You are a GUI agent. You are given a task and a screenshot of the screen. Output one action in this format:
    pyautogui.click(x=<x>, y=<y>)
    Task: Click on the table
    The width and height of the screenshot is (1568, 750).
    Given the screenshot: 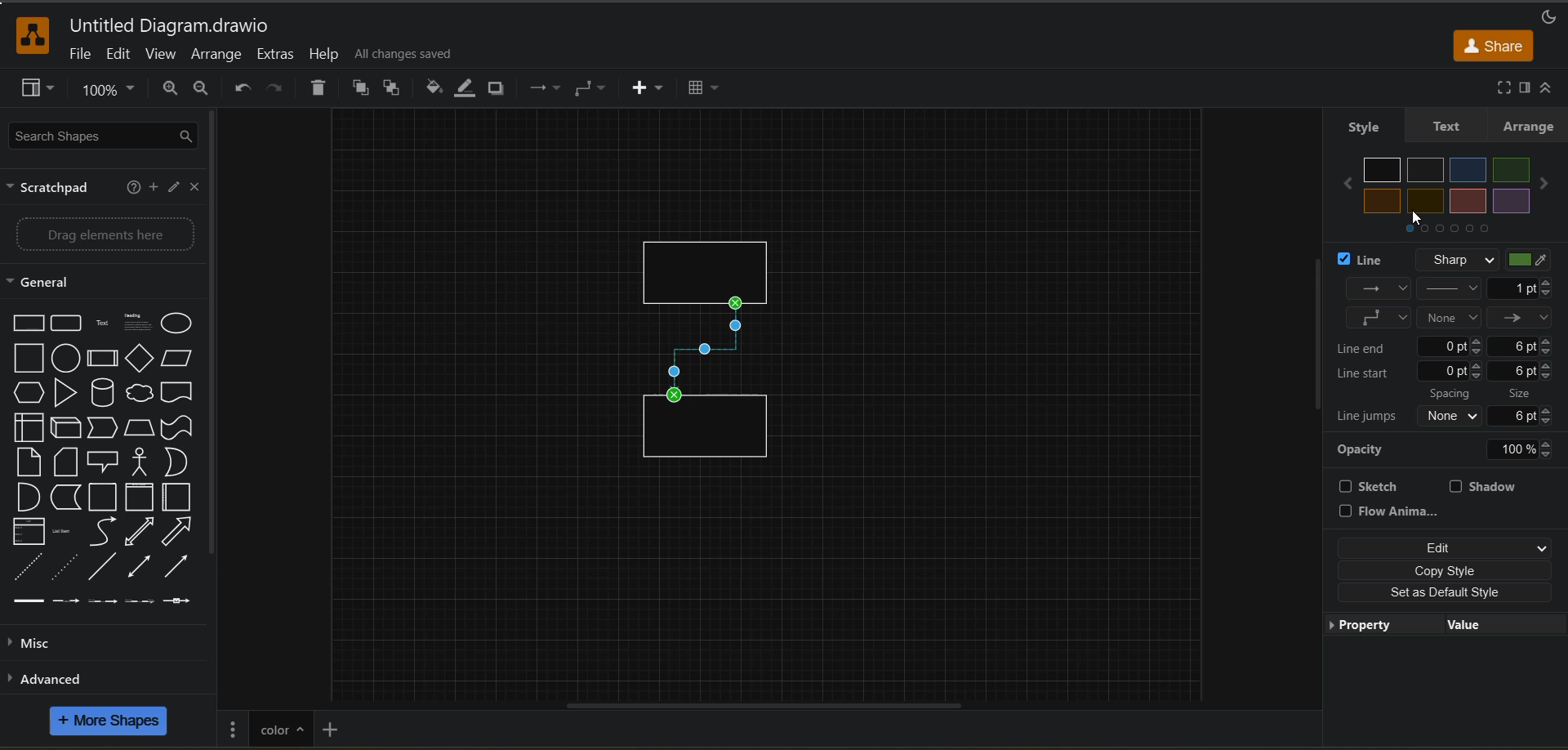 What is the action you would take?
    pyautogui.click(x=709, y=90)
    